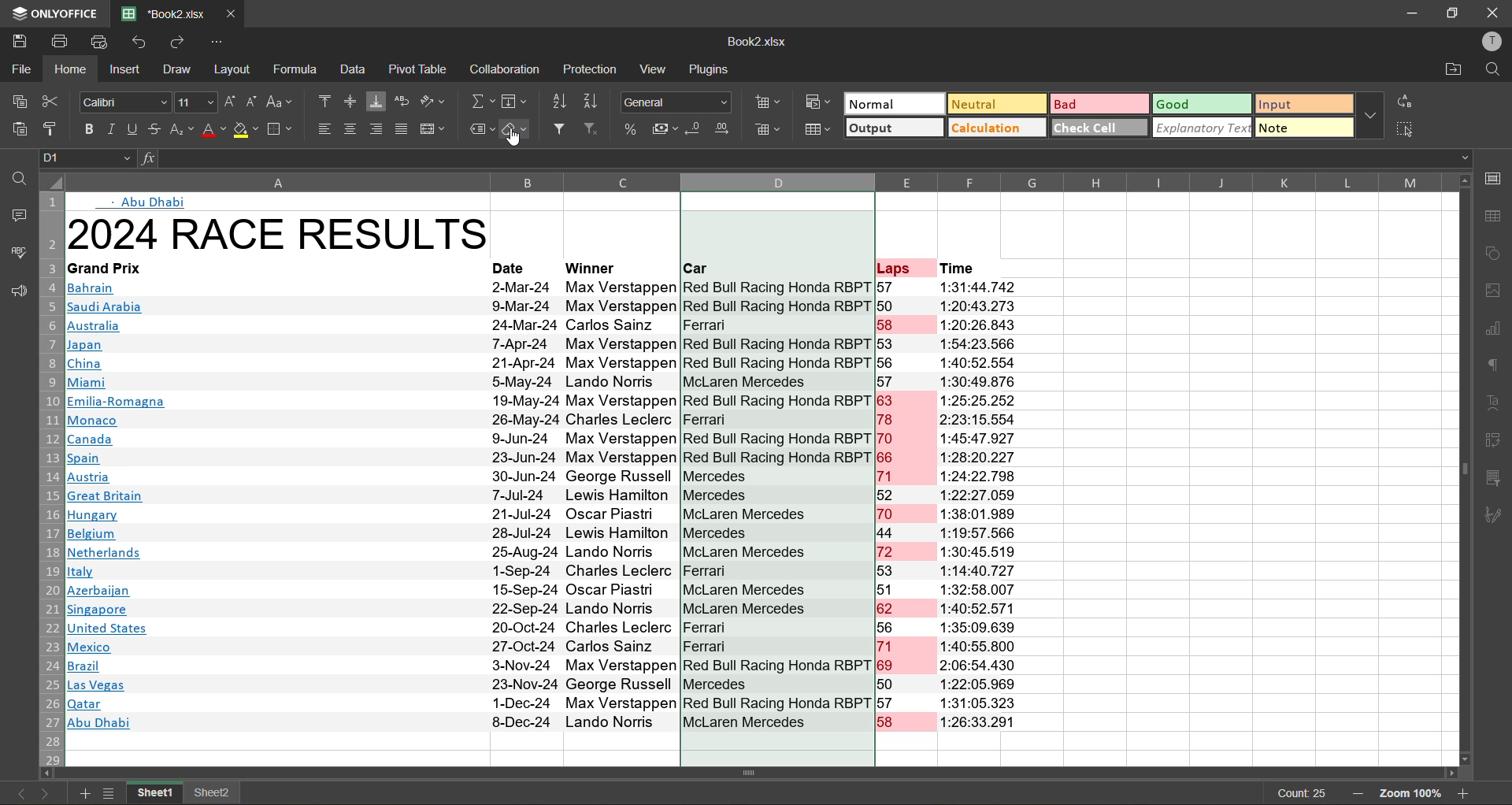  Describe the element at coordinates (550, 608) in the screenshot. I see `Msingapore 22-Sep-24 Lando Norris ~~ McLaren Mercedes 62 1:40:52 571` at that location.